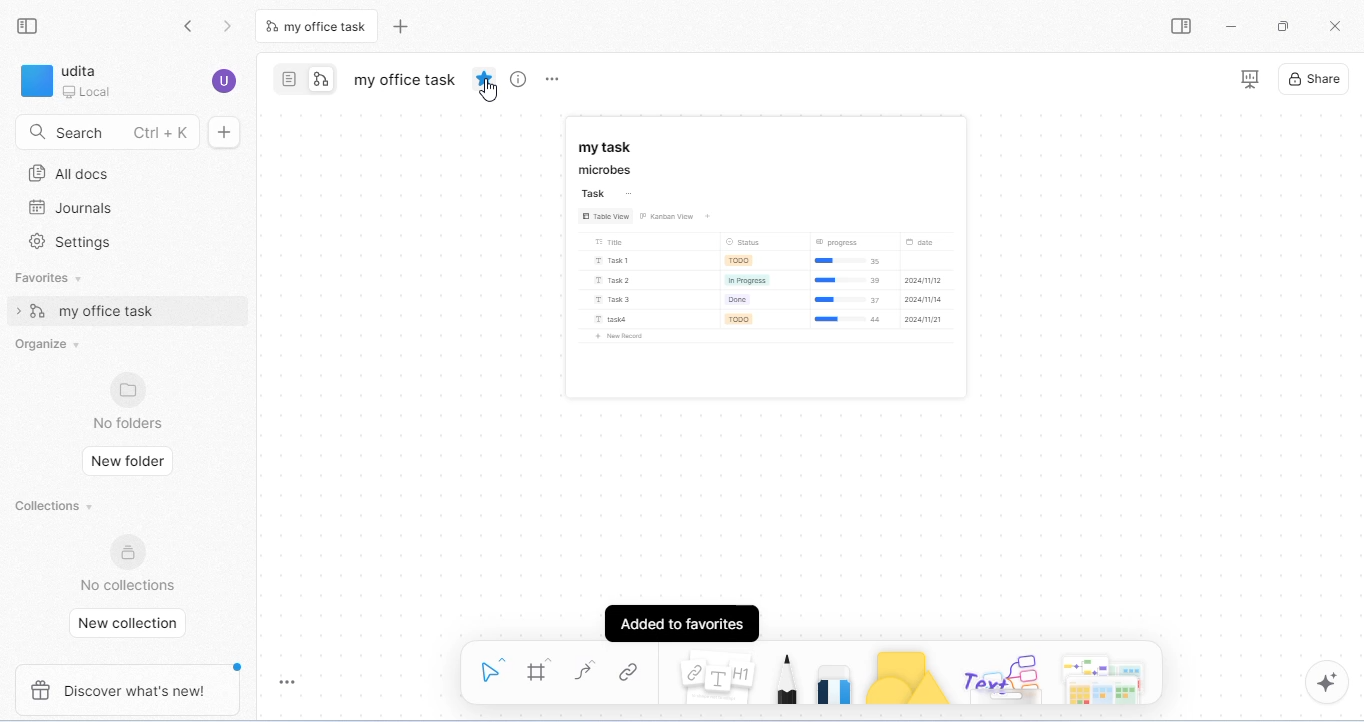 Image resolution: width=1364 pixels, height=722 pixels. What do you see at coordinates (134, 688) in the screenshot?
I see `discover what's new` at bounding box center [134, 688].